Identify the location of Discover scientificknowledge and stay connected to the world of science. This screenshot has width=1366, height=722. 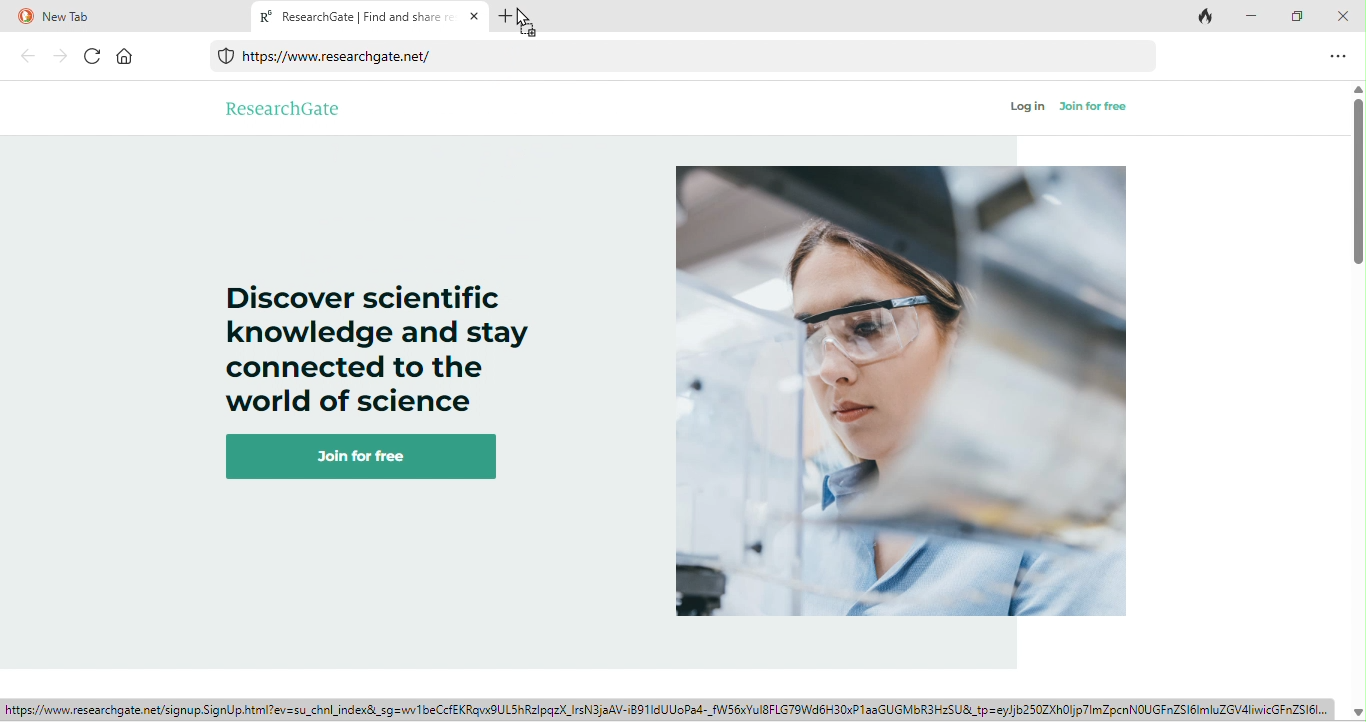
(374, 348).